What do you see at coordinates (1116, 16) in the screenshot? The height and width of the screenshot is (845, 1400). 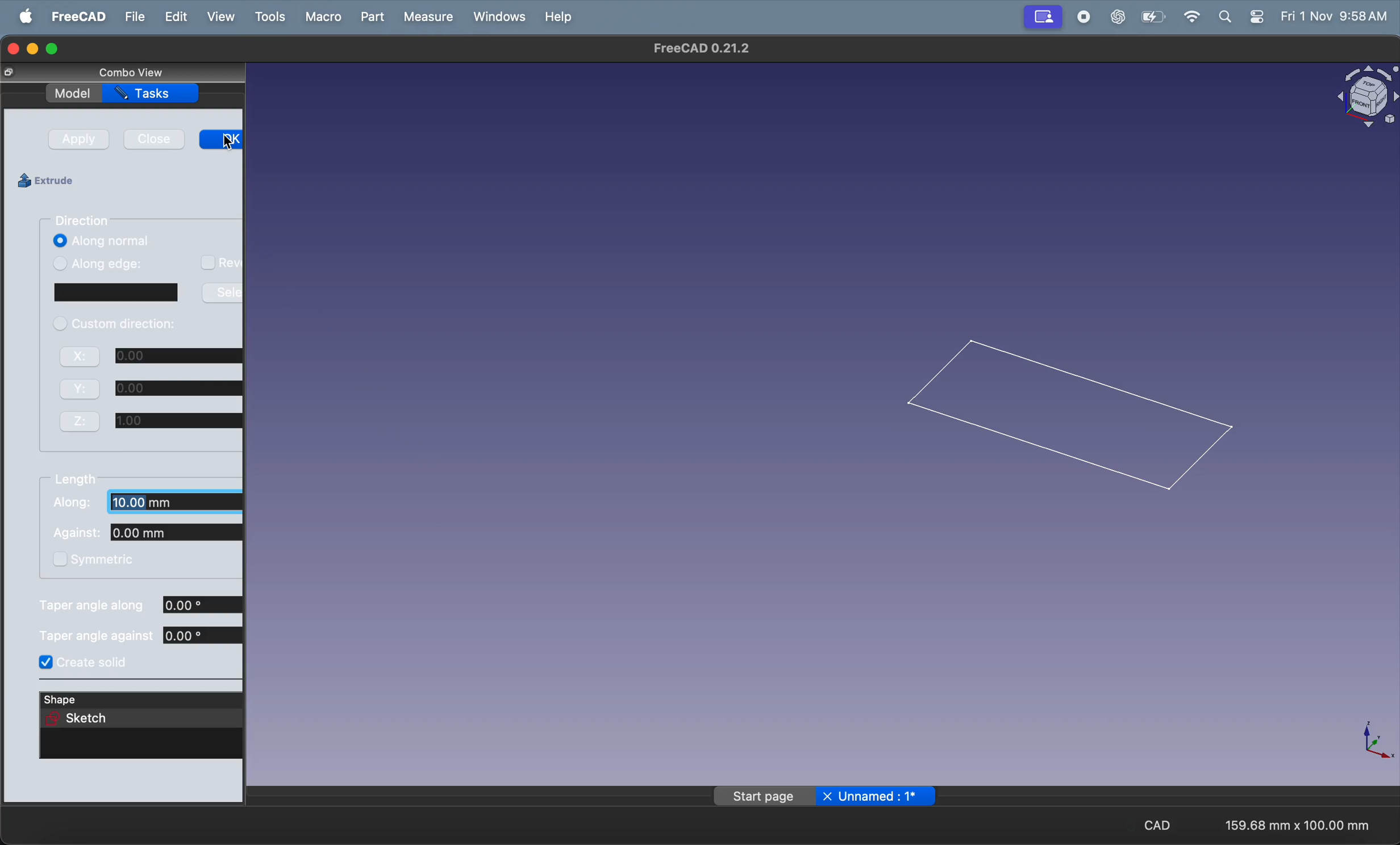 I see `chatgpt` at bounding box center [1116, 16].